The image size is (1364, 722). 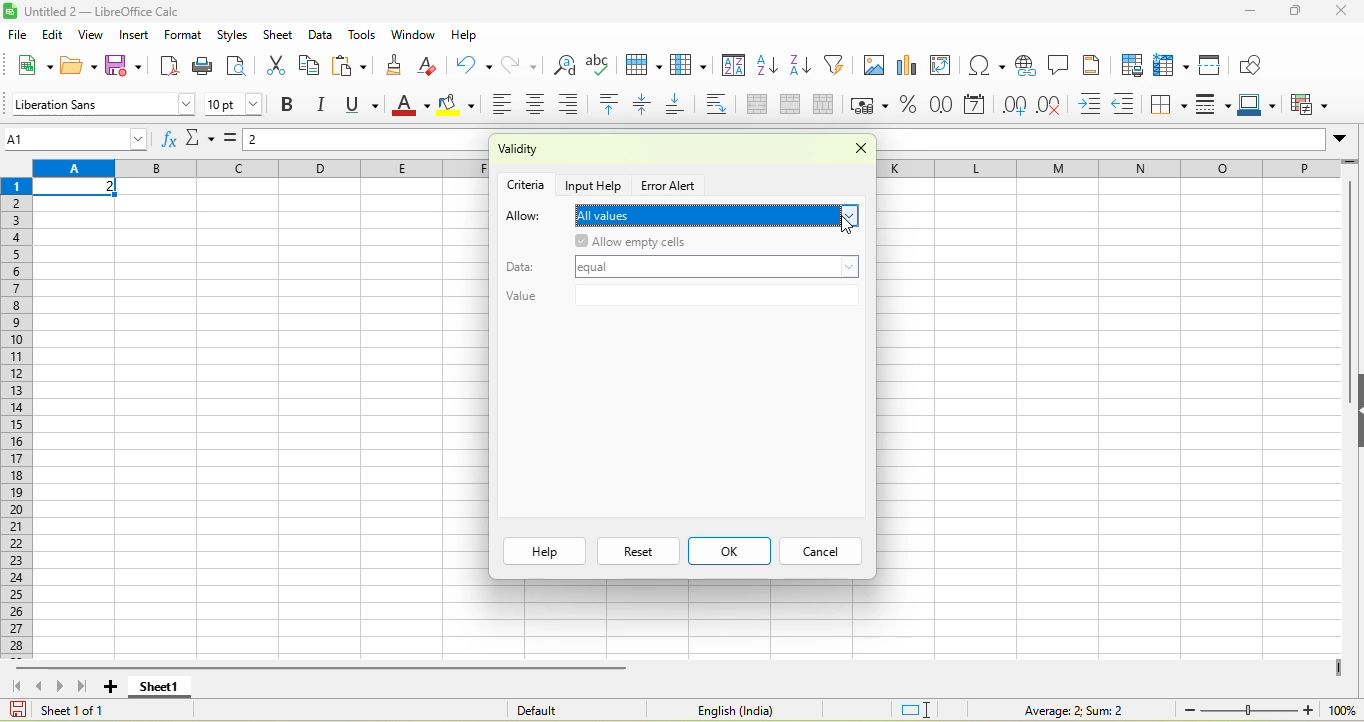 I want to click on vertical scroll bar, so click(x=1347, y=300).